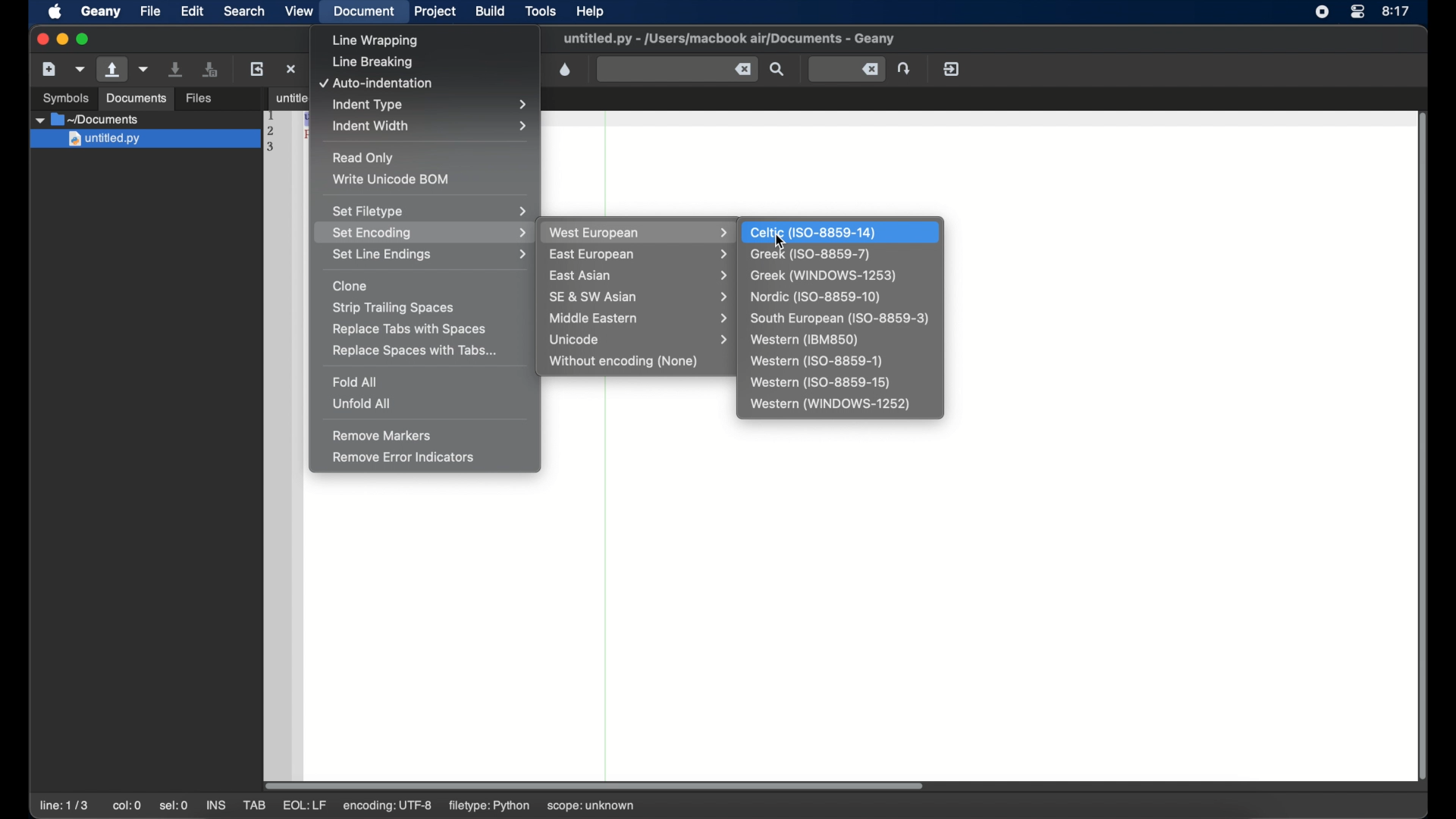  I want to click on remove error indicators, so click(405, 457).